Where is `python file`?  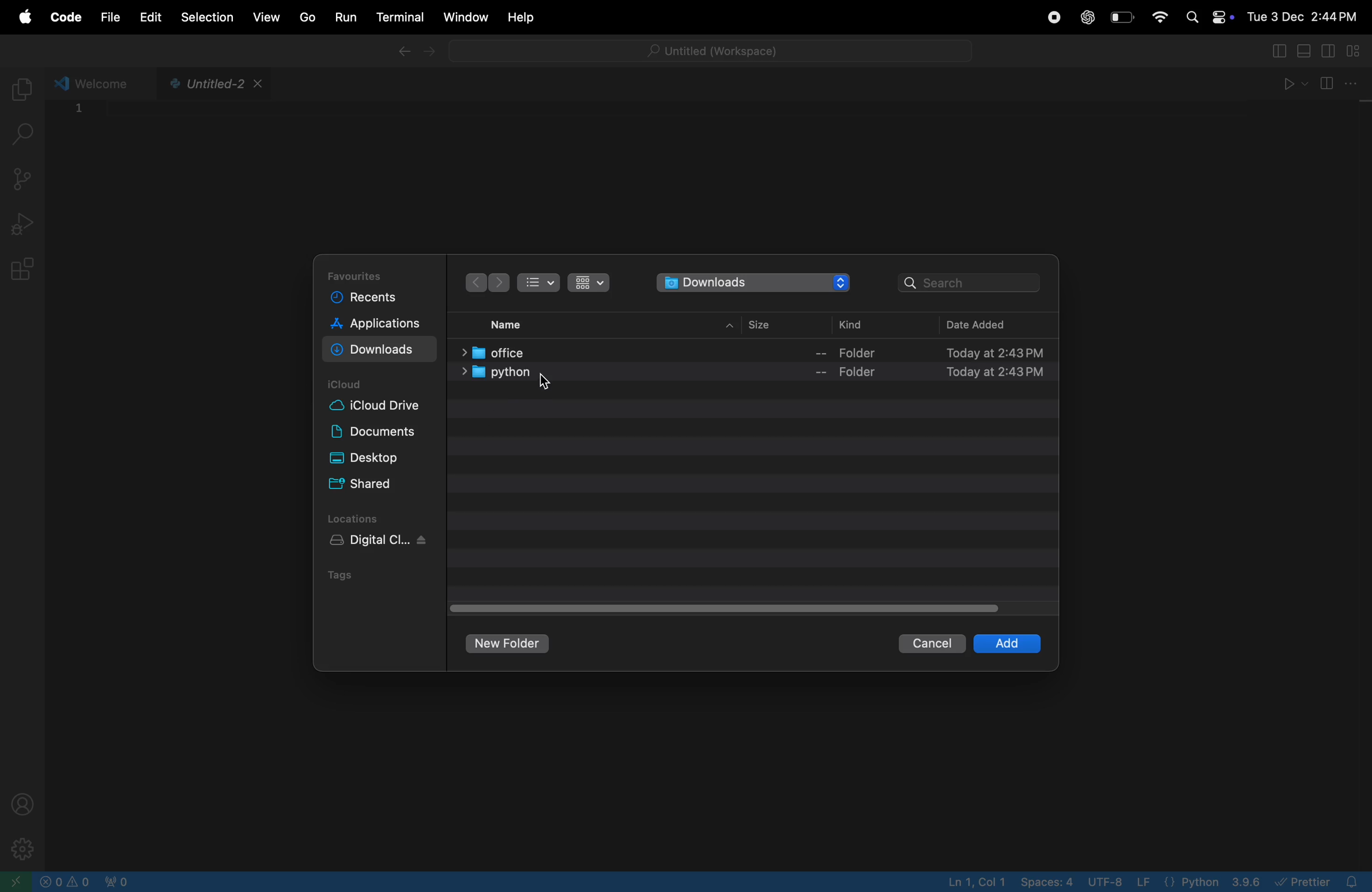
python file is located at coordinates (212, 85).